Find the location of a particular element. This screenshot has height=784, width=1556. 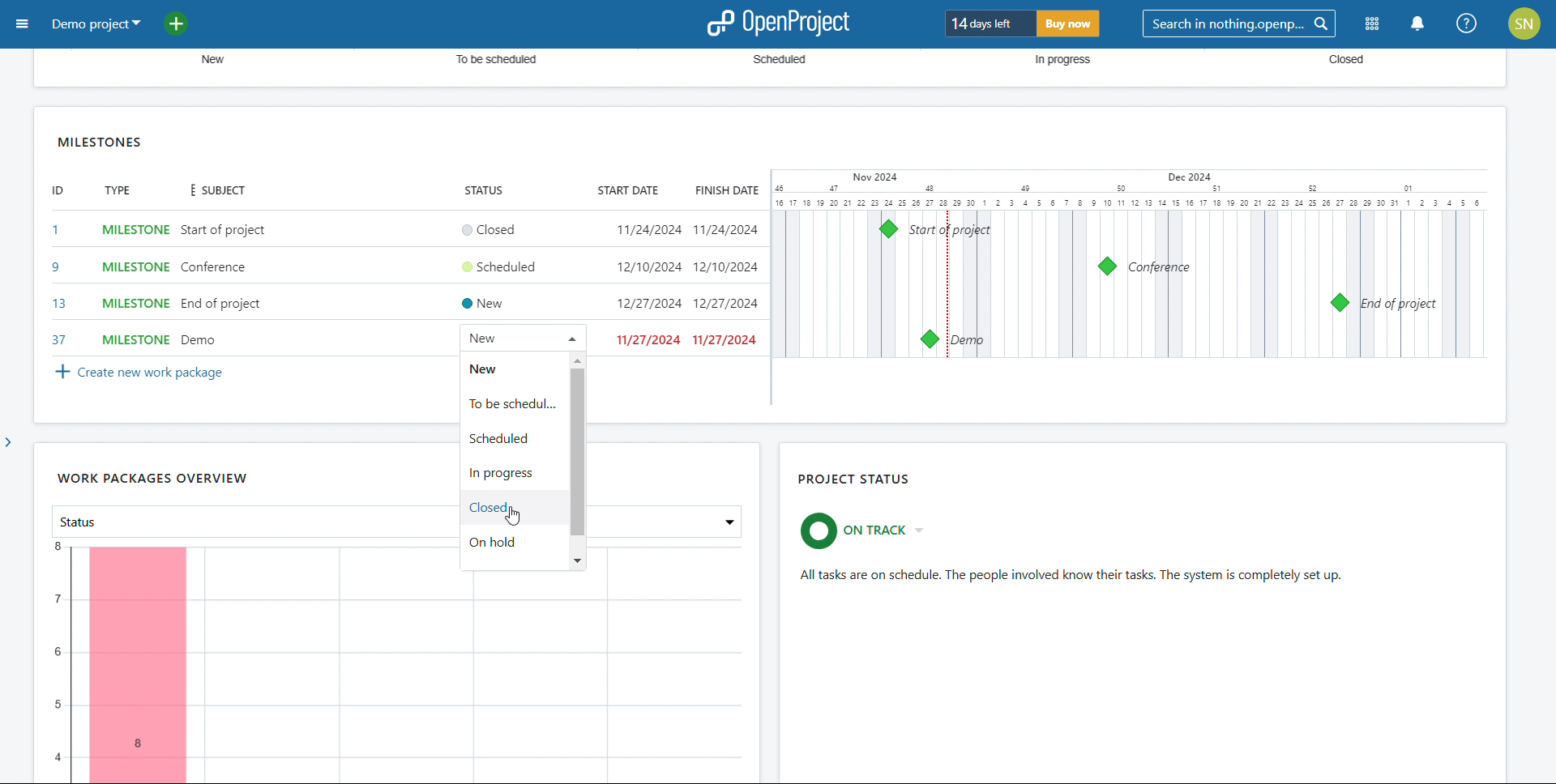

‘Scheduled is located at coordinates (780, 61).